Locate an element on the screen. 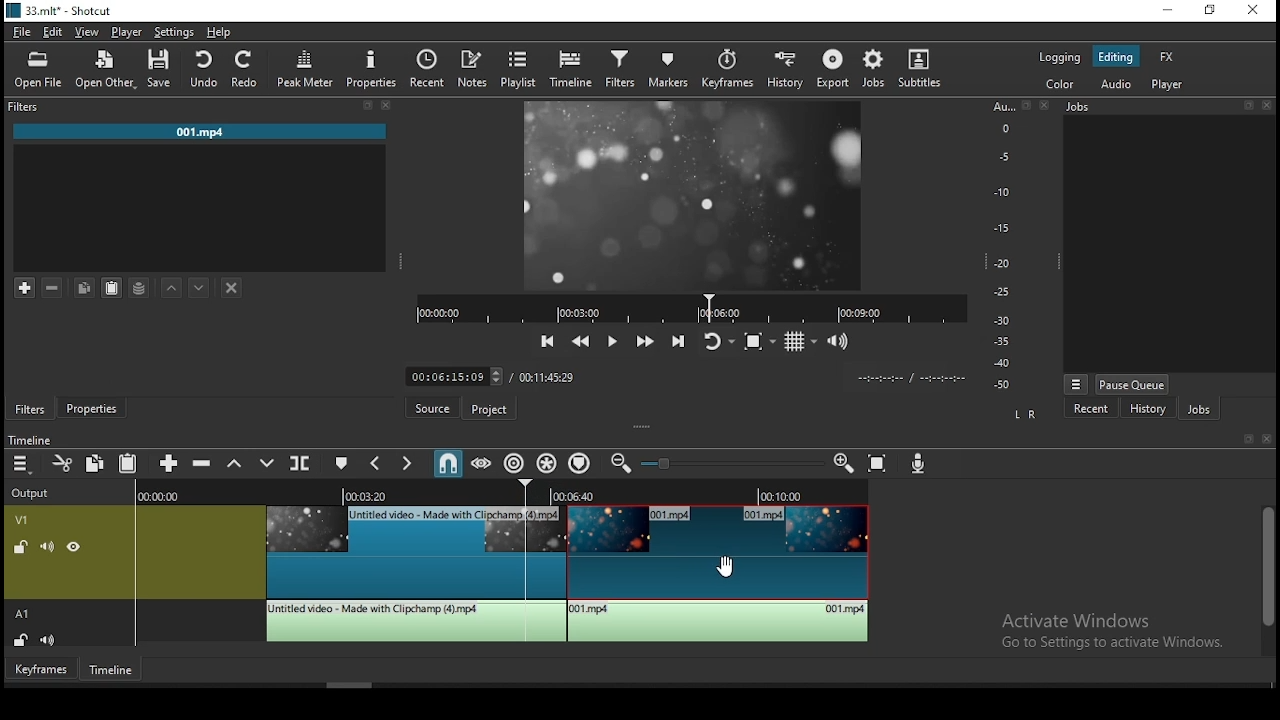  export is located at coordinates (835, 69).